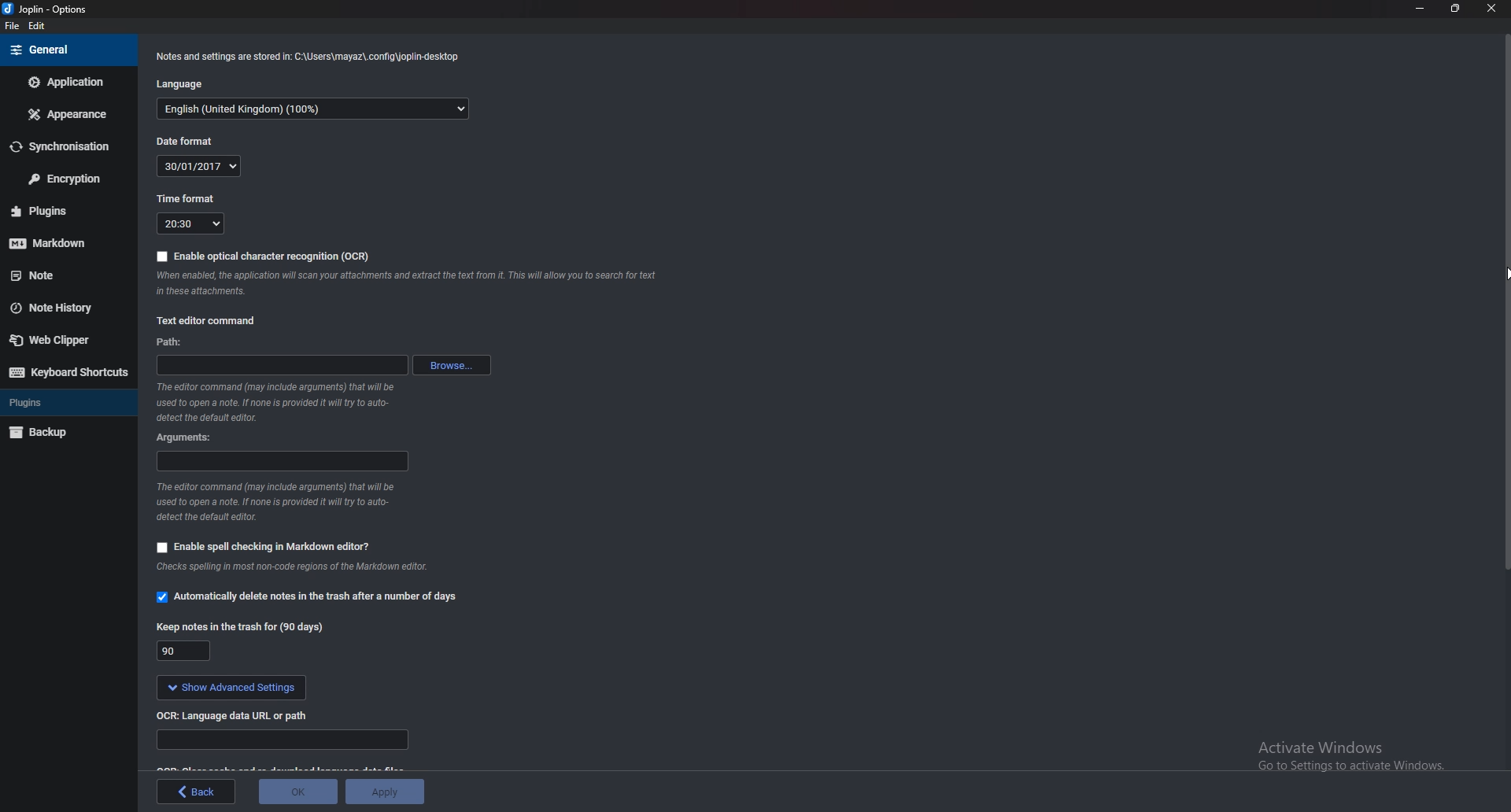 The image size is (1511, 812). Describe the element at coordinates (13, 26) in the screenshot. I see `file` at that location.